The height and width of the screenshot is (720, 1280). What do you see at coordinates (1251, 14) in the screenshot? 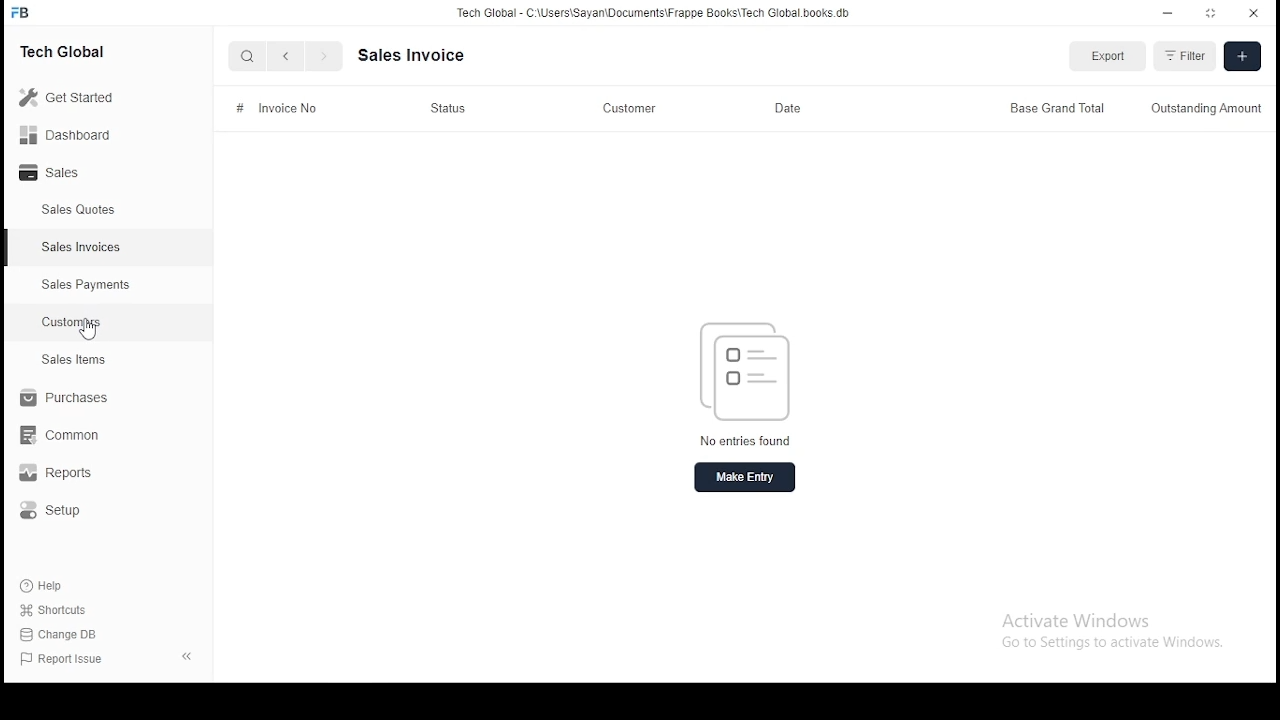
I see `close window` at bounding box center [1251, 14].